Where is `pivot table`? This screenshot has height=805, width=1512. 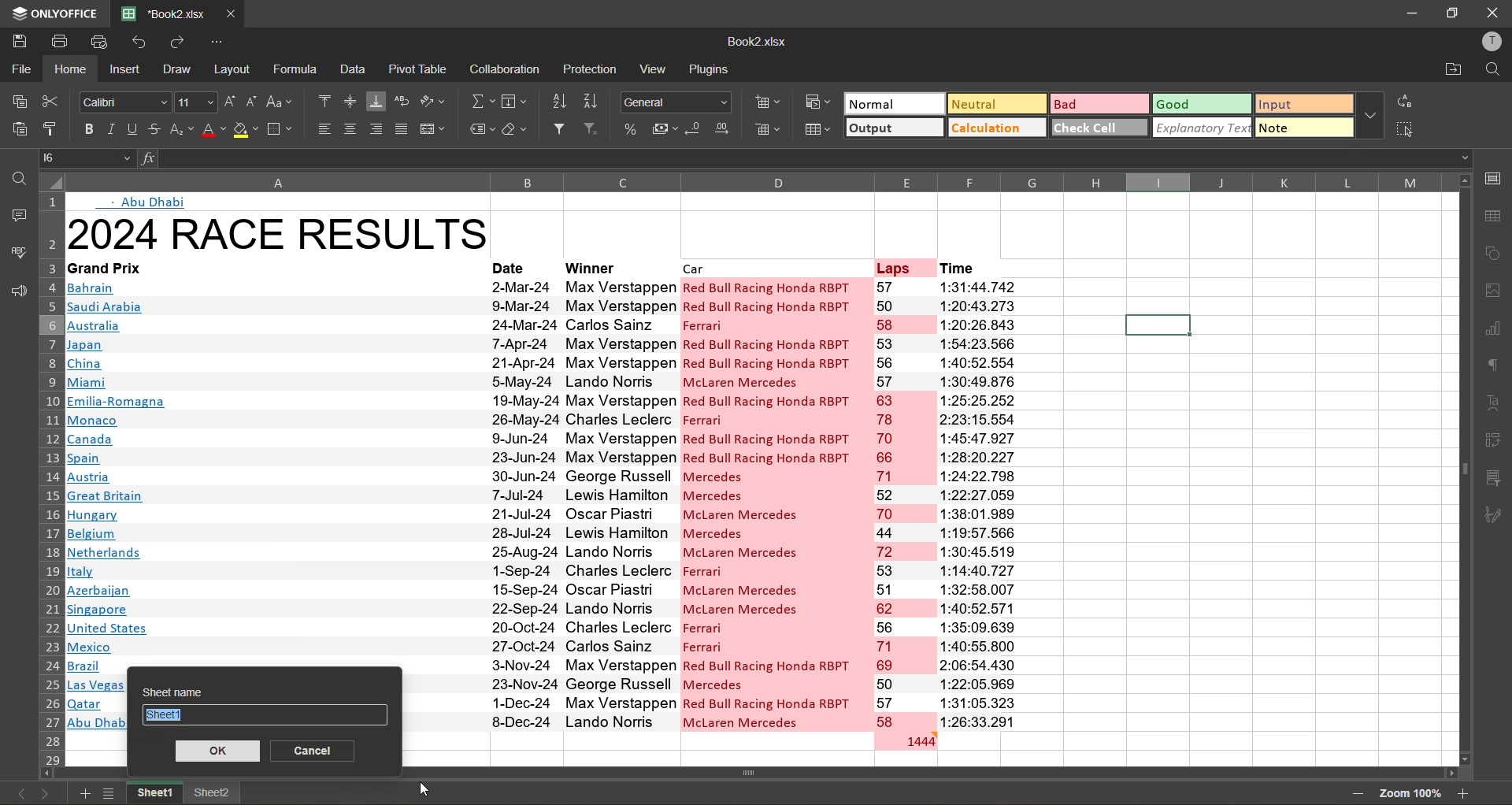
pivot table is located at coordinates (1495, 443).